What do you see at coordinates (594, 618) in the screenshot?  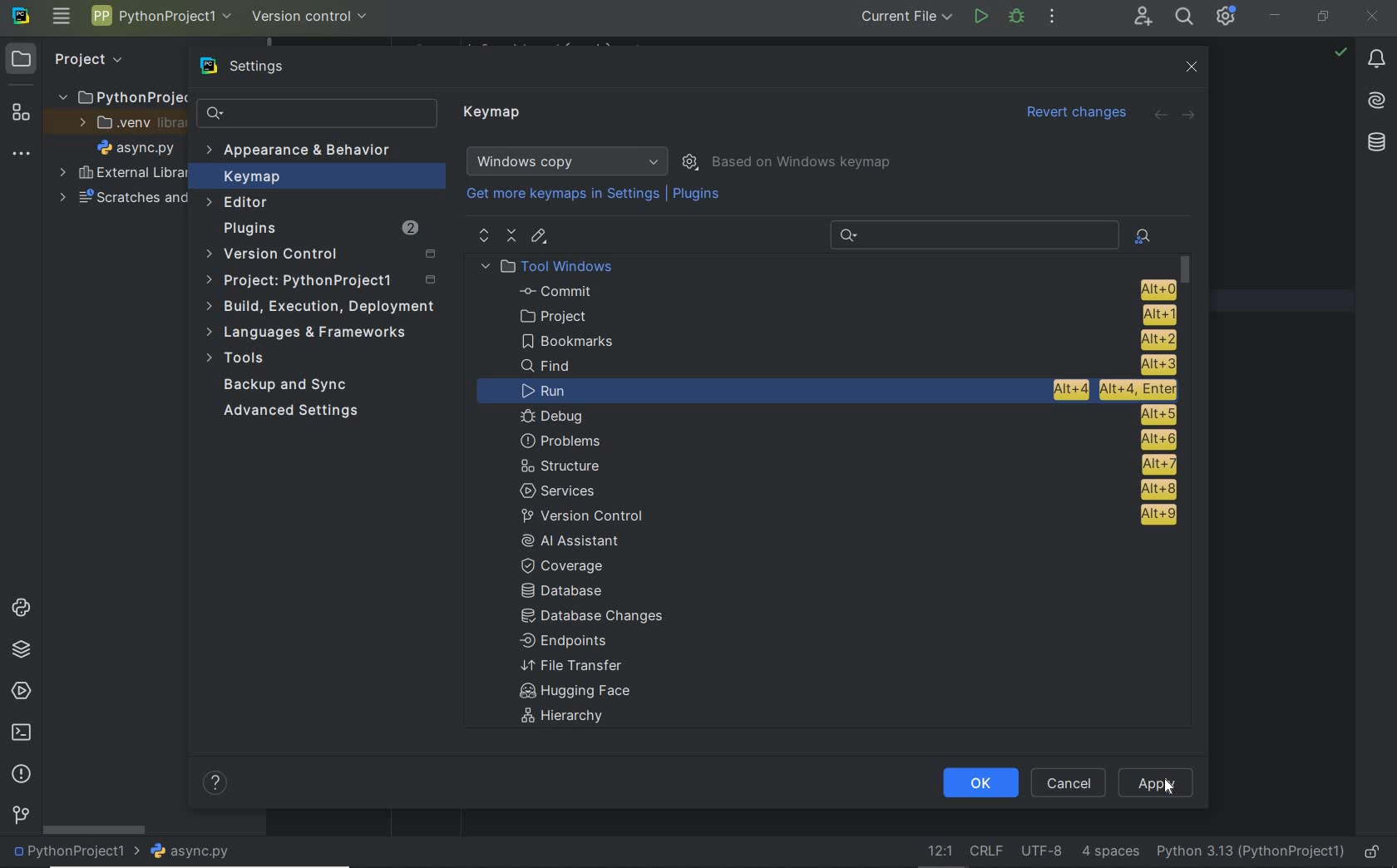 I see `Database changes` at bounding box center [594, 618].